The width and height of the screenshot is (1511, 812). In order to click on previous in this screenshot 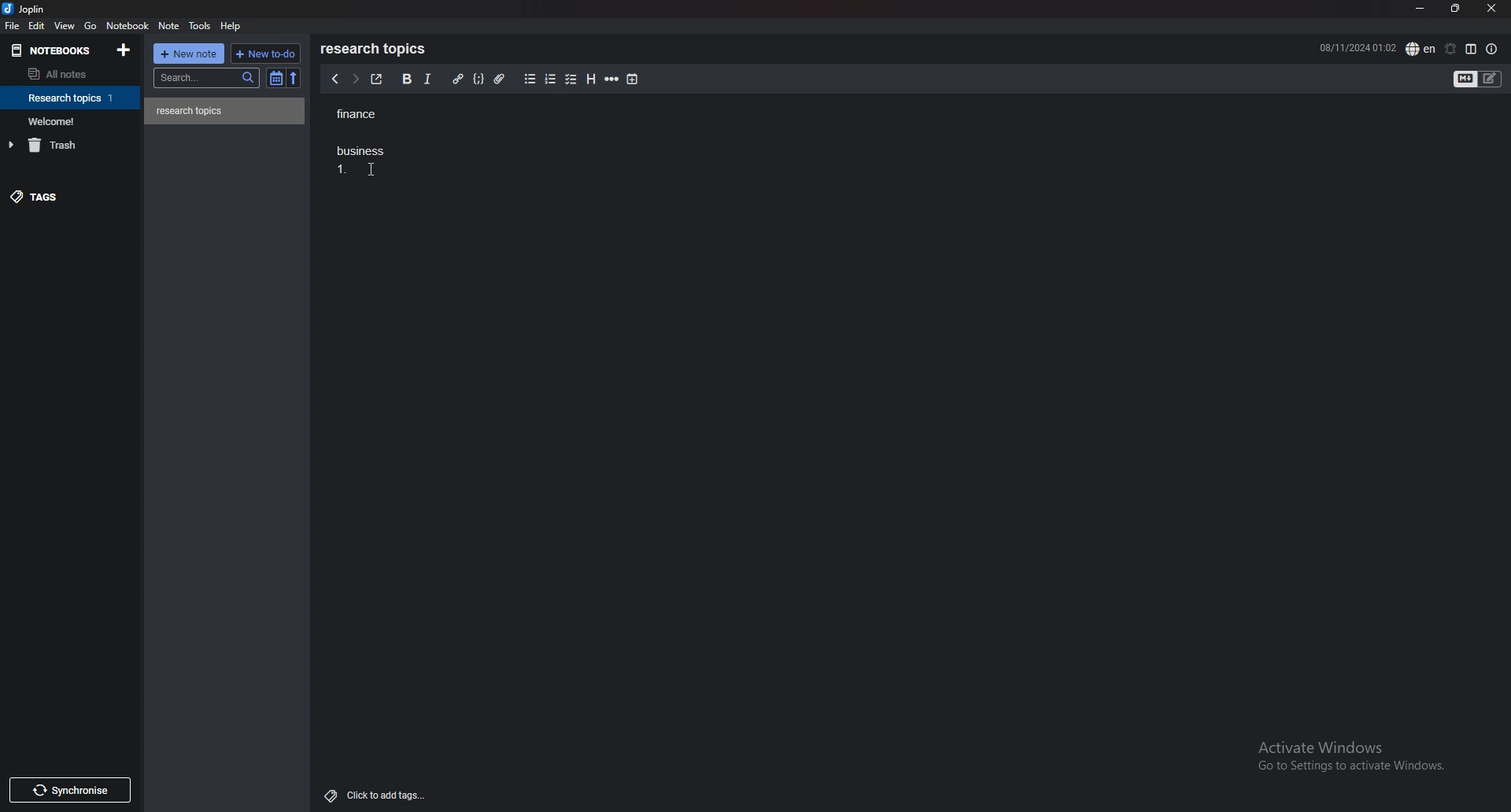, I will do `click(335, 80)`.